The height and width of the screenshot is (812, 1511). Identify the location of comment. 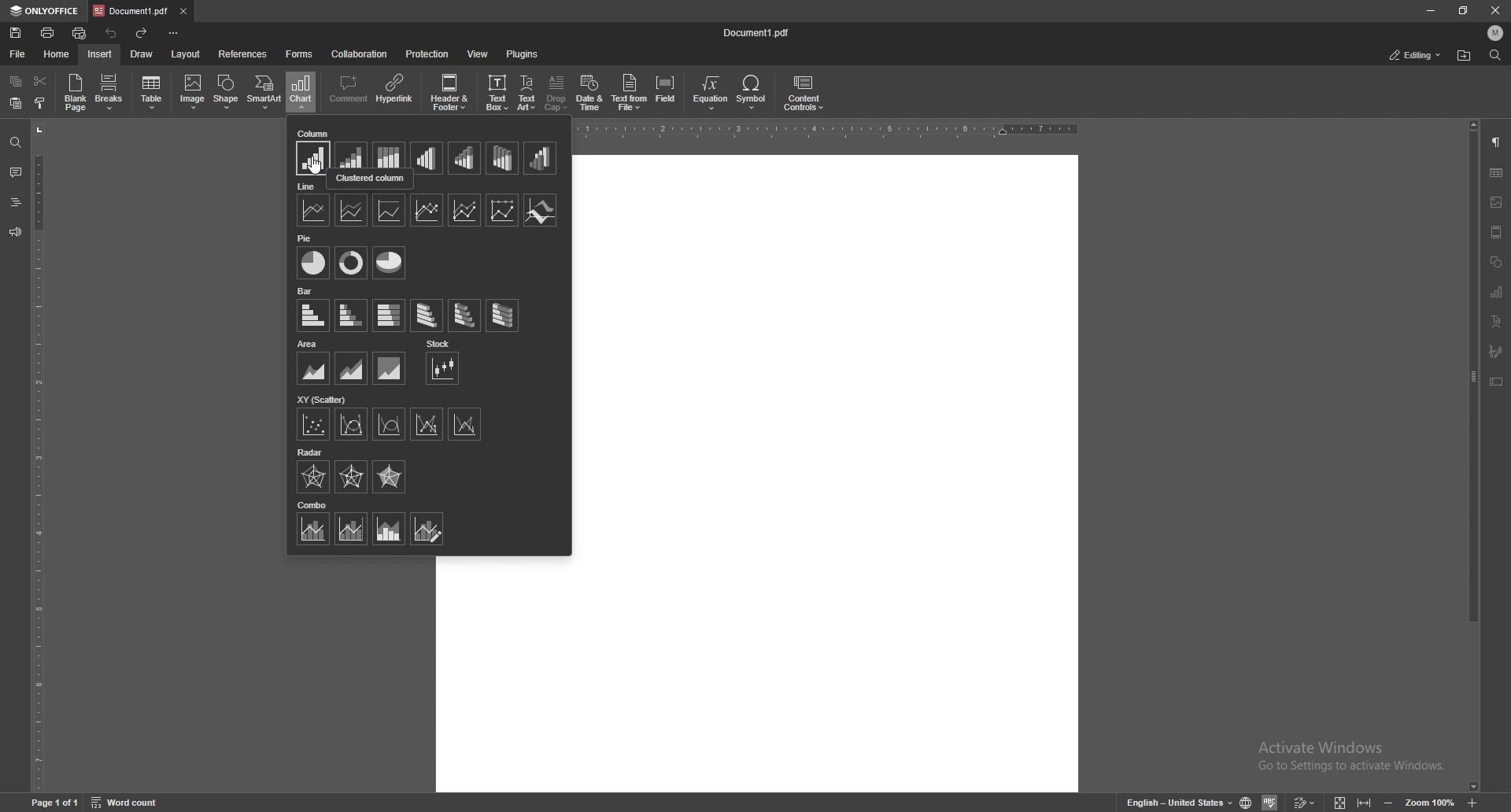
(16, 172).